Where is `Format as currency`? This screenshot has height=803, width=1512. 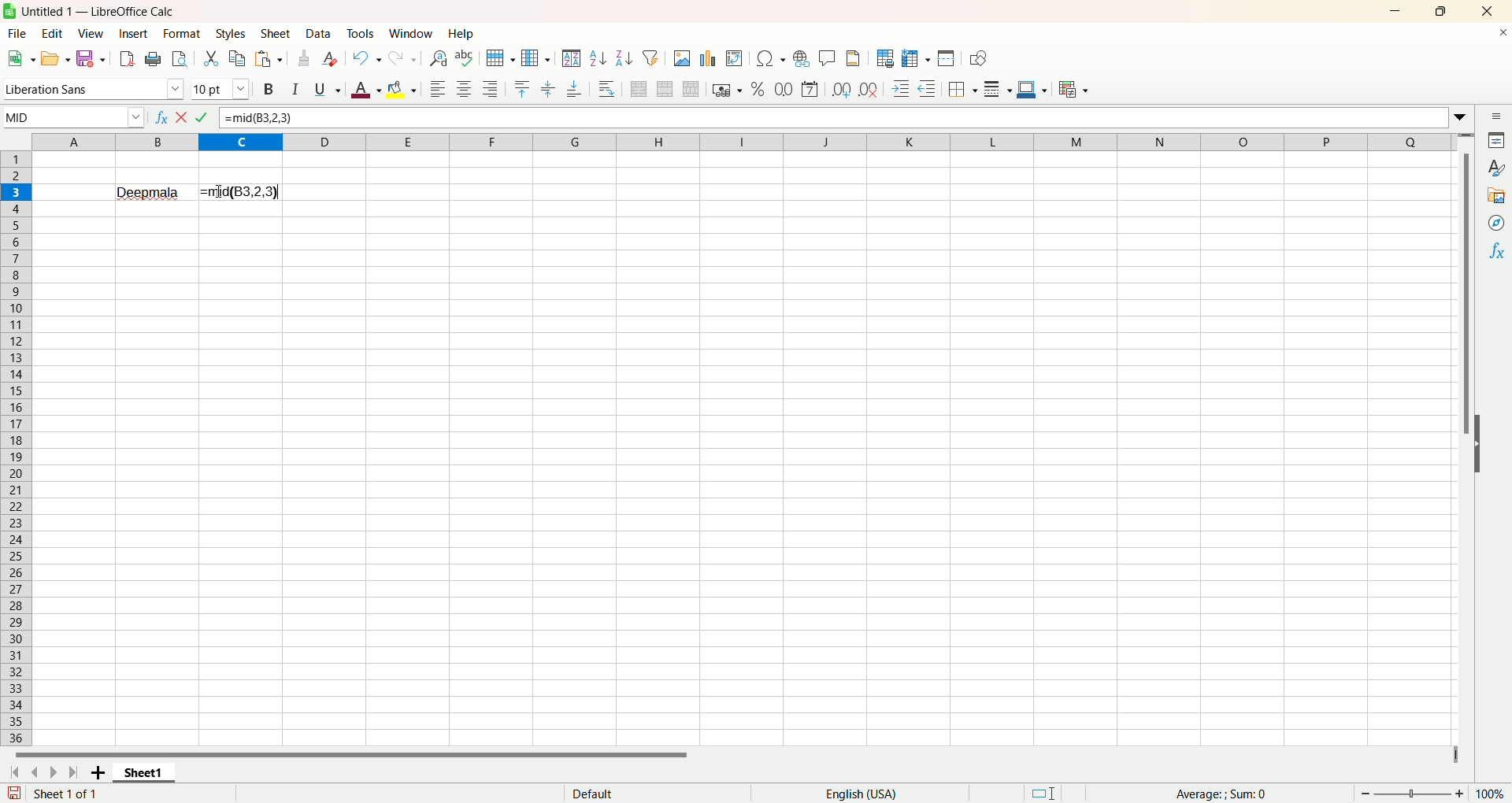 Format as currency is located at coordinates (727, 88).